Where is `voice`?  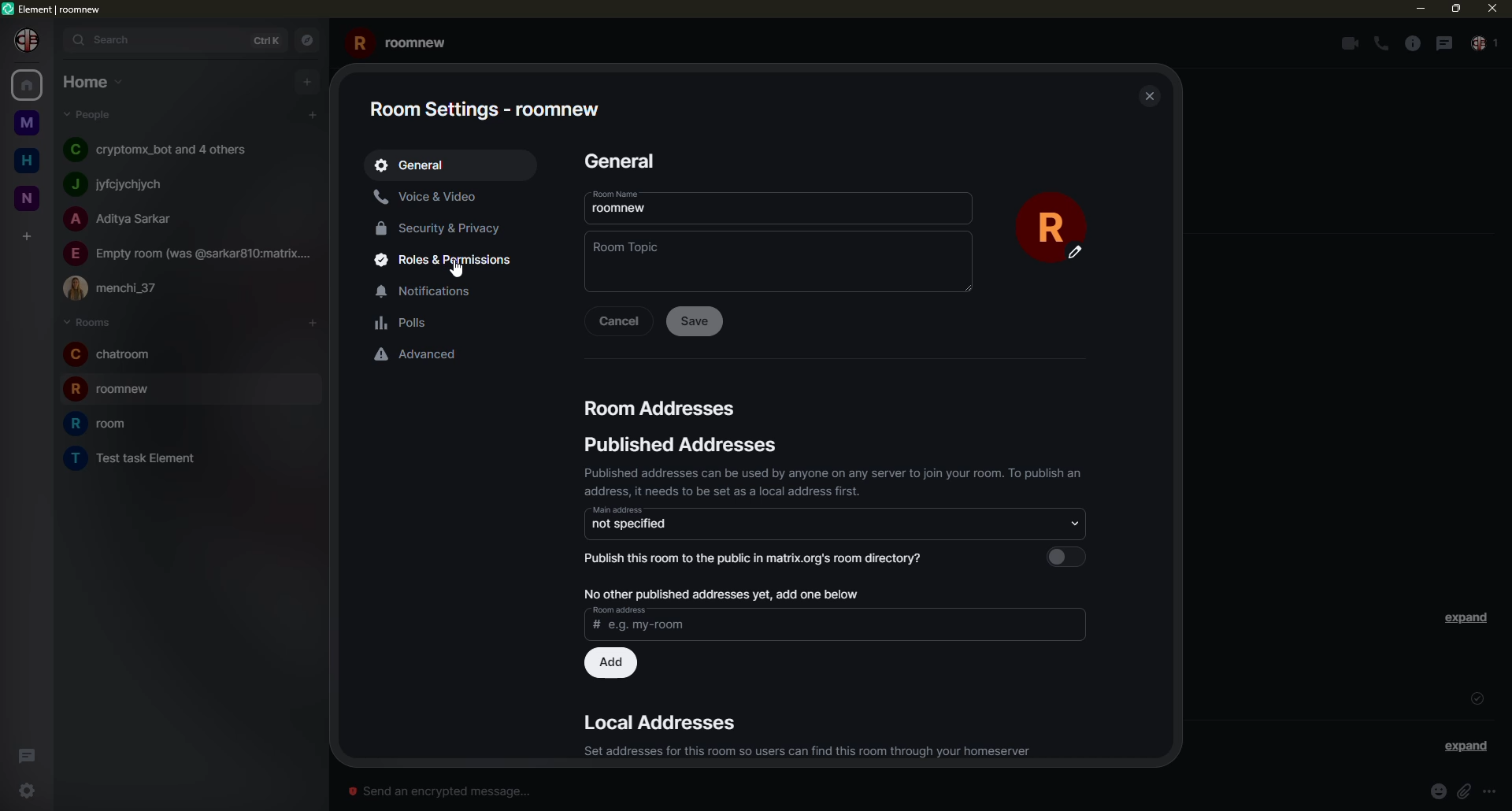 voice is located at coordinates (1381, 44).